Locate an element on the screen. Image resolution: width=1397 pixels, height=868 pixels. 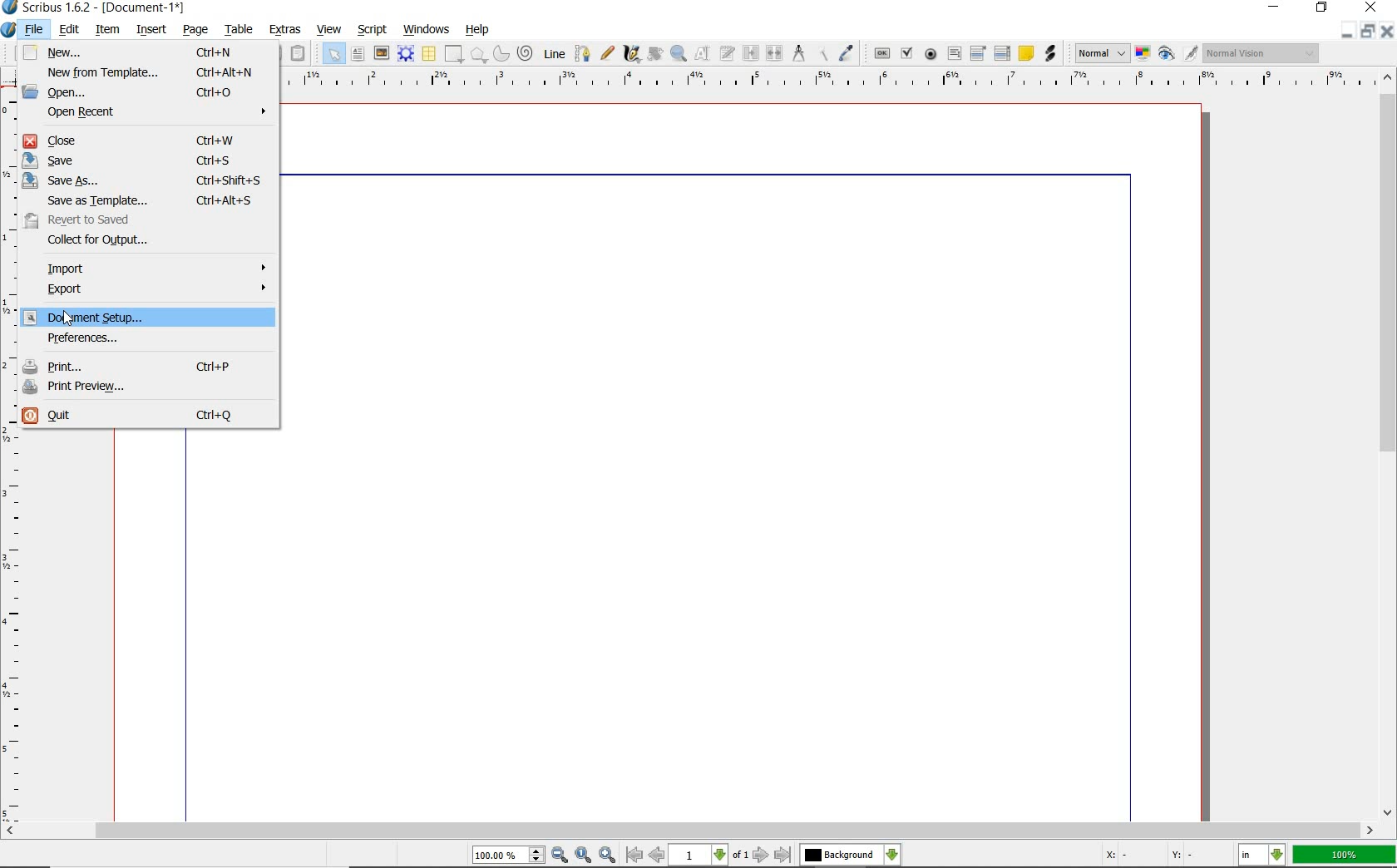
close is located at coordinates (1371, 7).